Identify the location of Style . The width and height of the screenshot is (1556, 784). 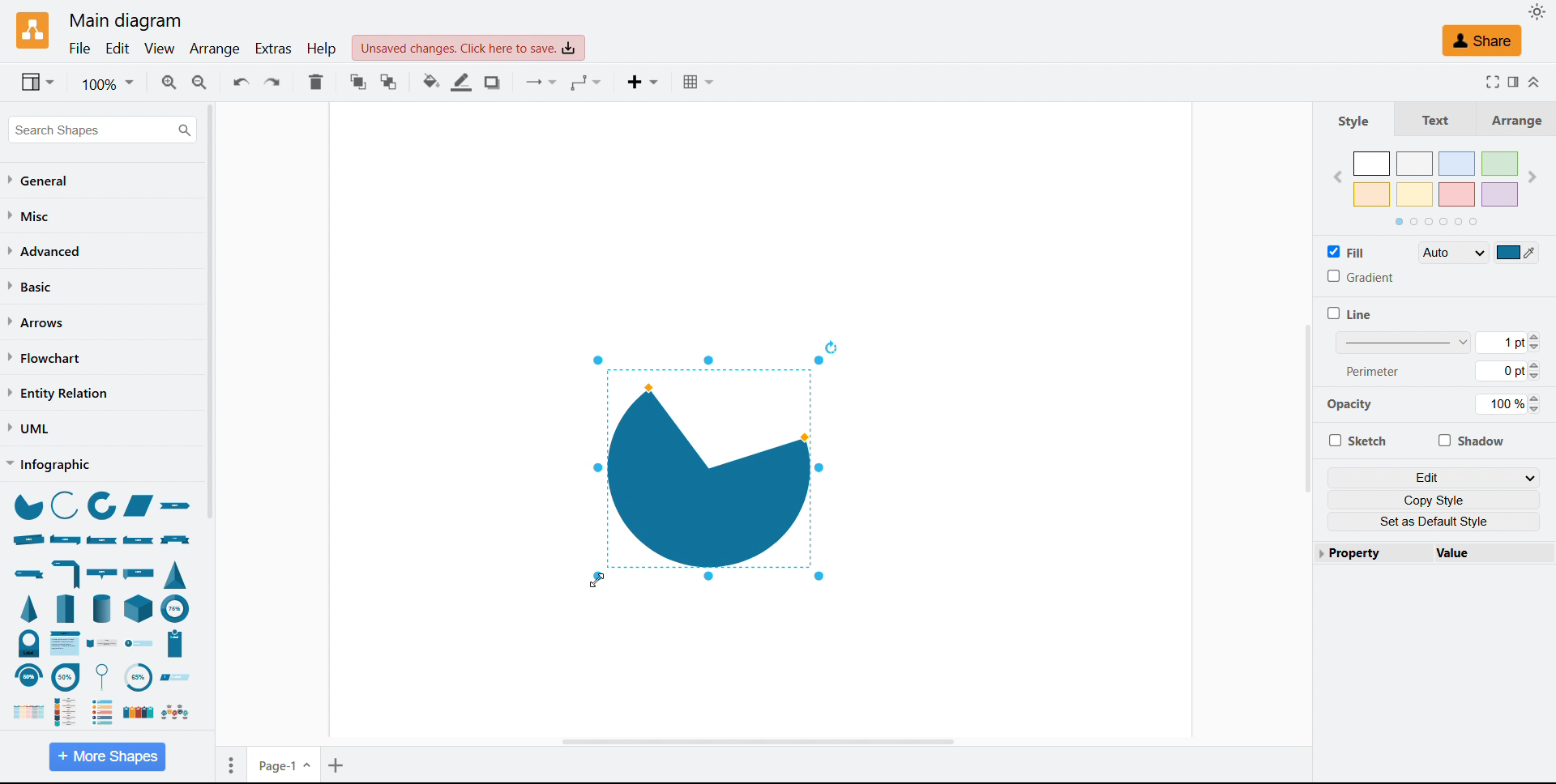
(1354, 120).